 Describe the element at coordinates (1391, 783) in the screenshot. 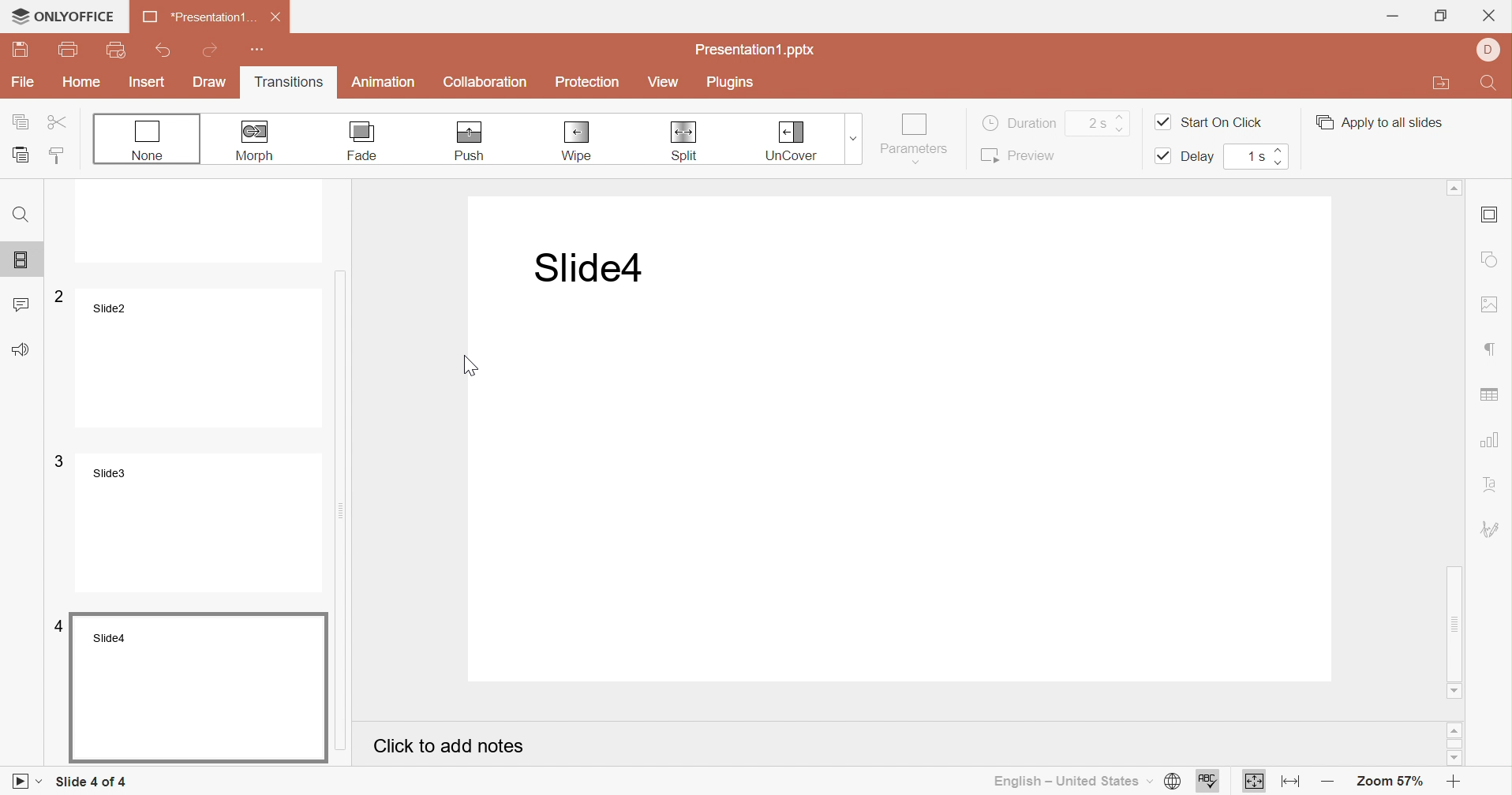

I see `Zoom 57%` at that location.